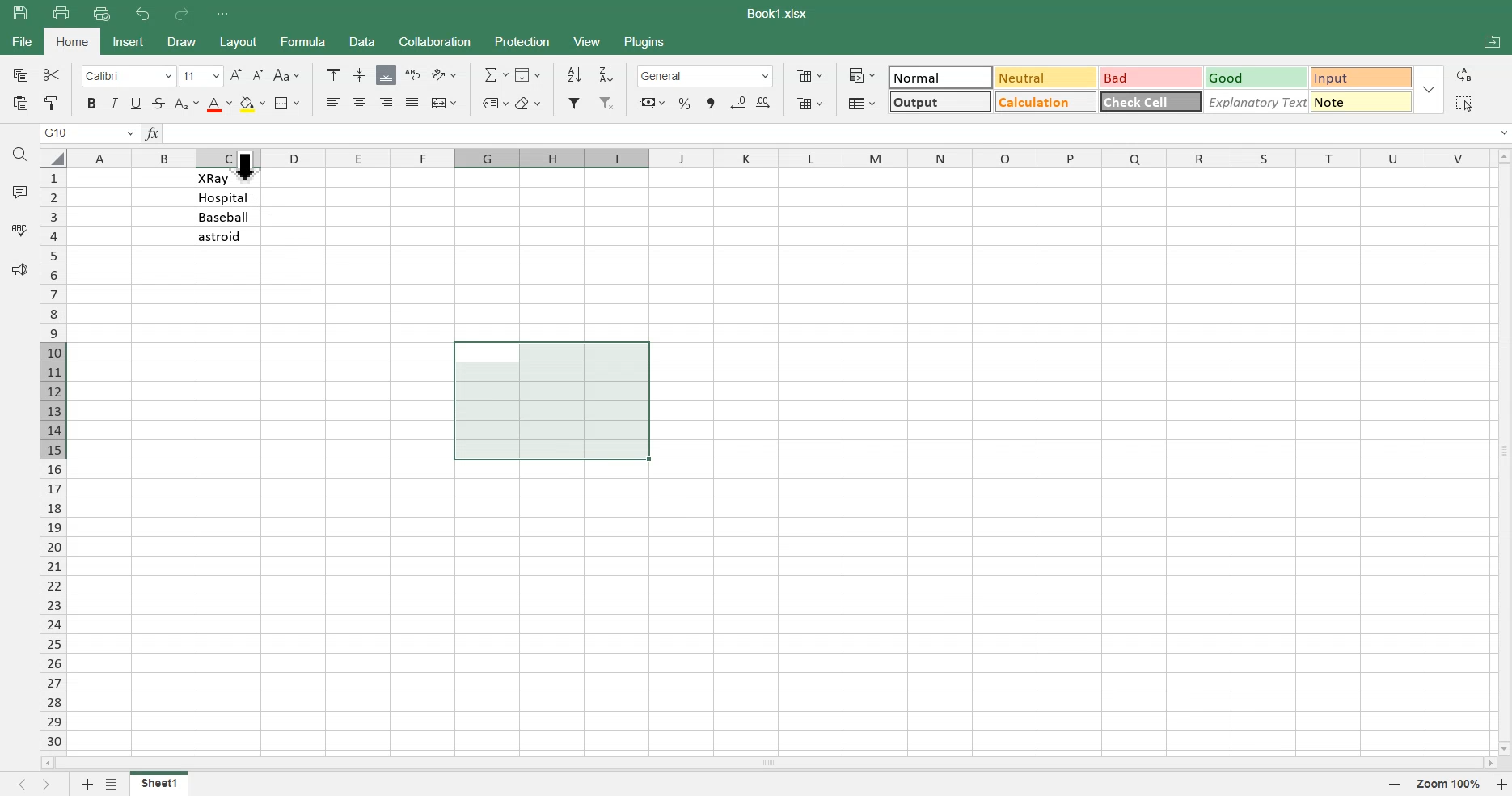 This screenshot has width=1512, height=796. I want to click on hospital, so click(226, 198).